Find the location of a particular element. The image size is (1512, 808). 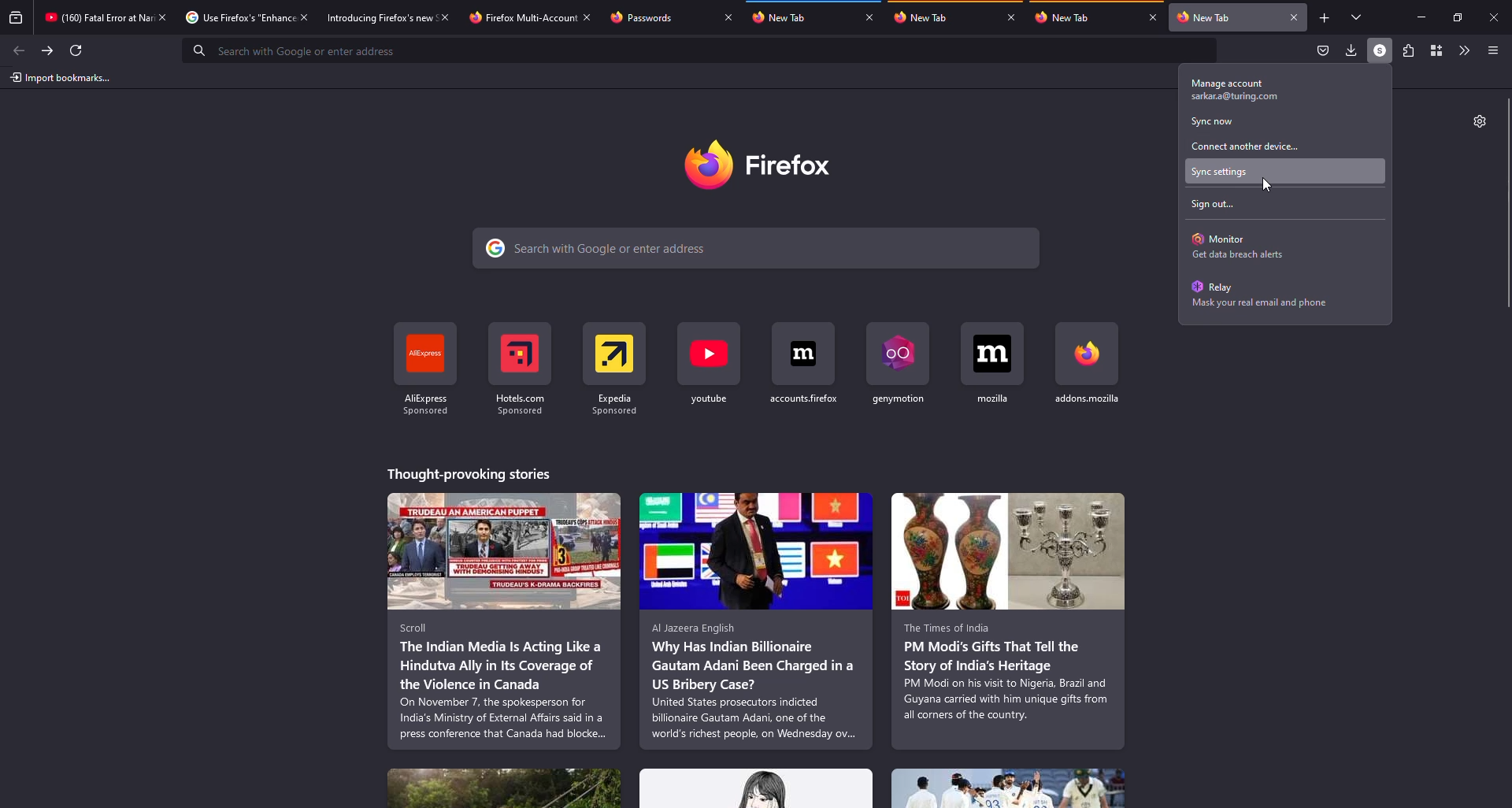

settings is located at coordinates (1477, 120).